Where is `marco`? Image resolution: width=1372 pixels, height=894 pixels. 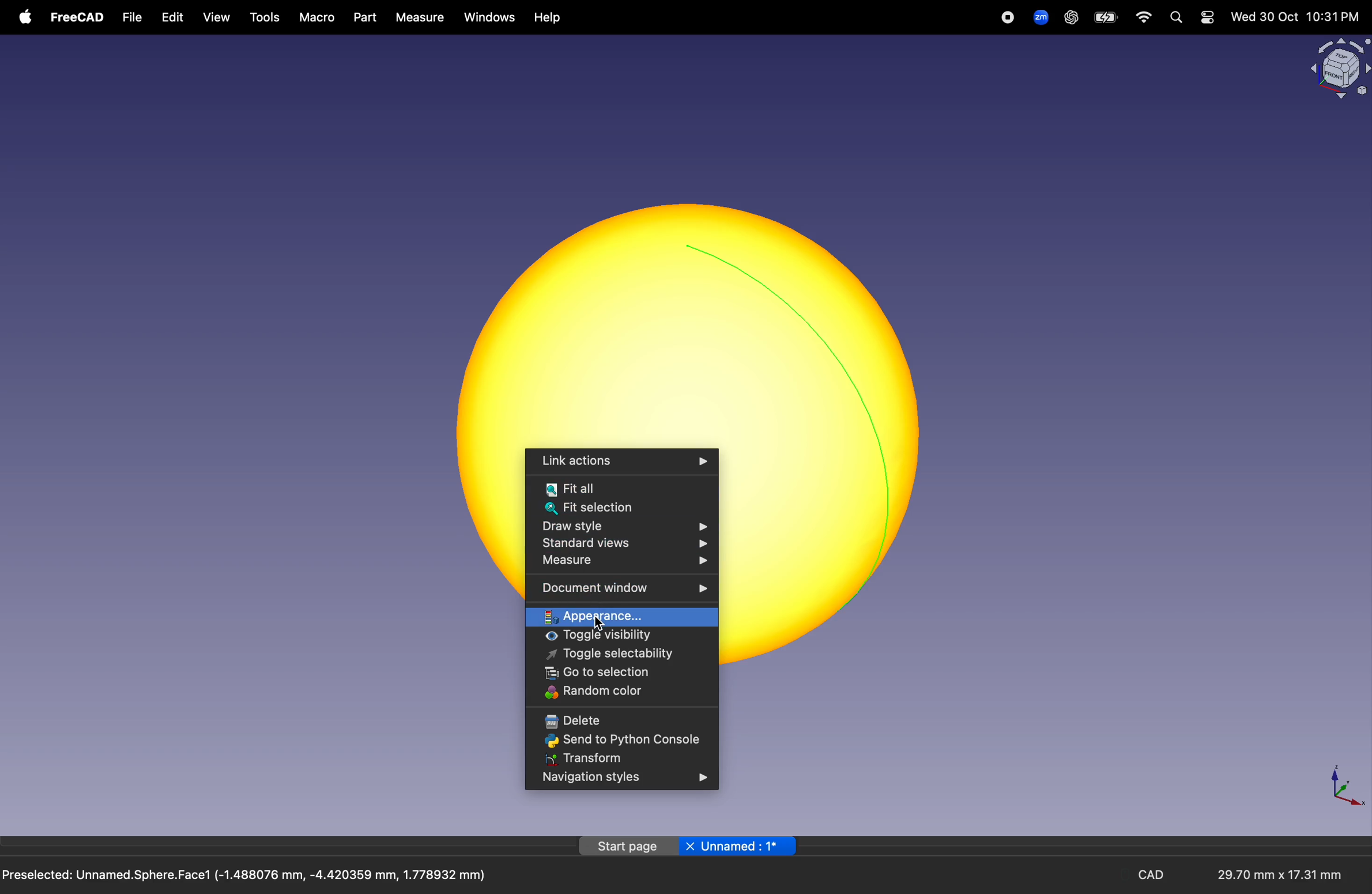 marco is located at coordinates (318, 18).